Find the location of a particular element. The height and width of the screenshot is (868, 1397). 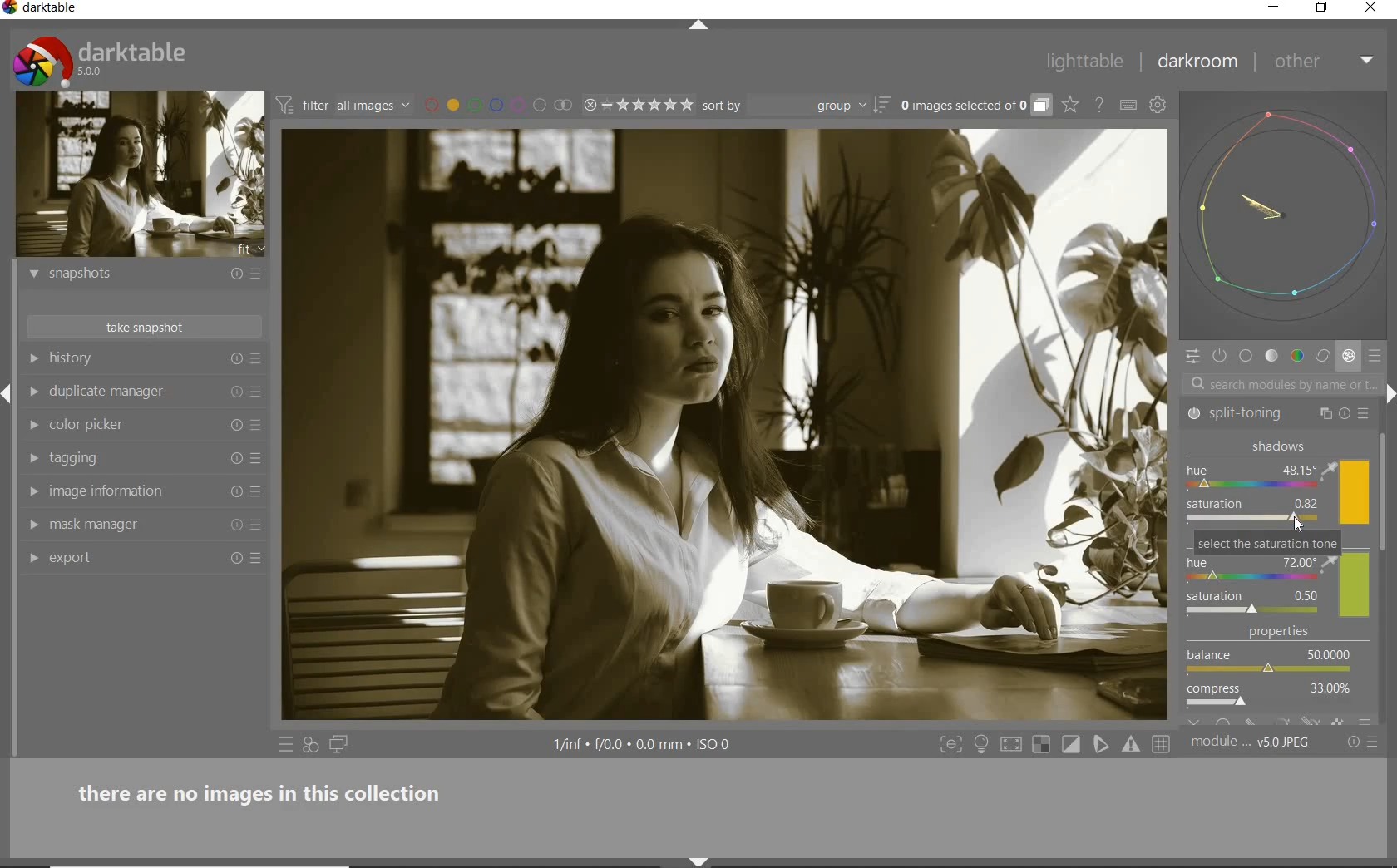

click to change the type of overlay shown on thumbnails is located at coordinates (1071, 106).